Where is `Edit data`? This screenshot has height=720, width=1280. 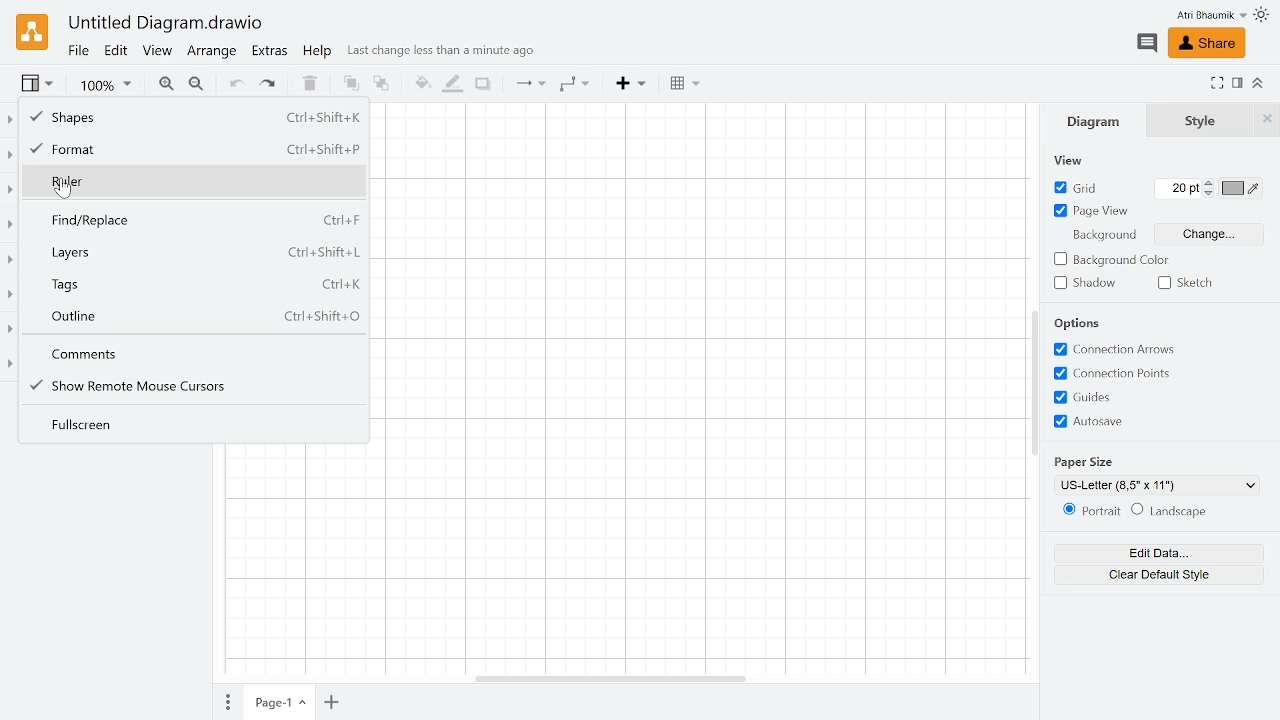
Edit data is located at coordinates (1156, 553).